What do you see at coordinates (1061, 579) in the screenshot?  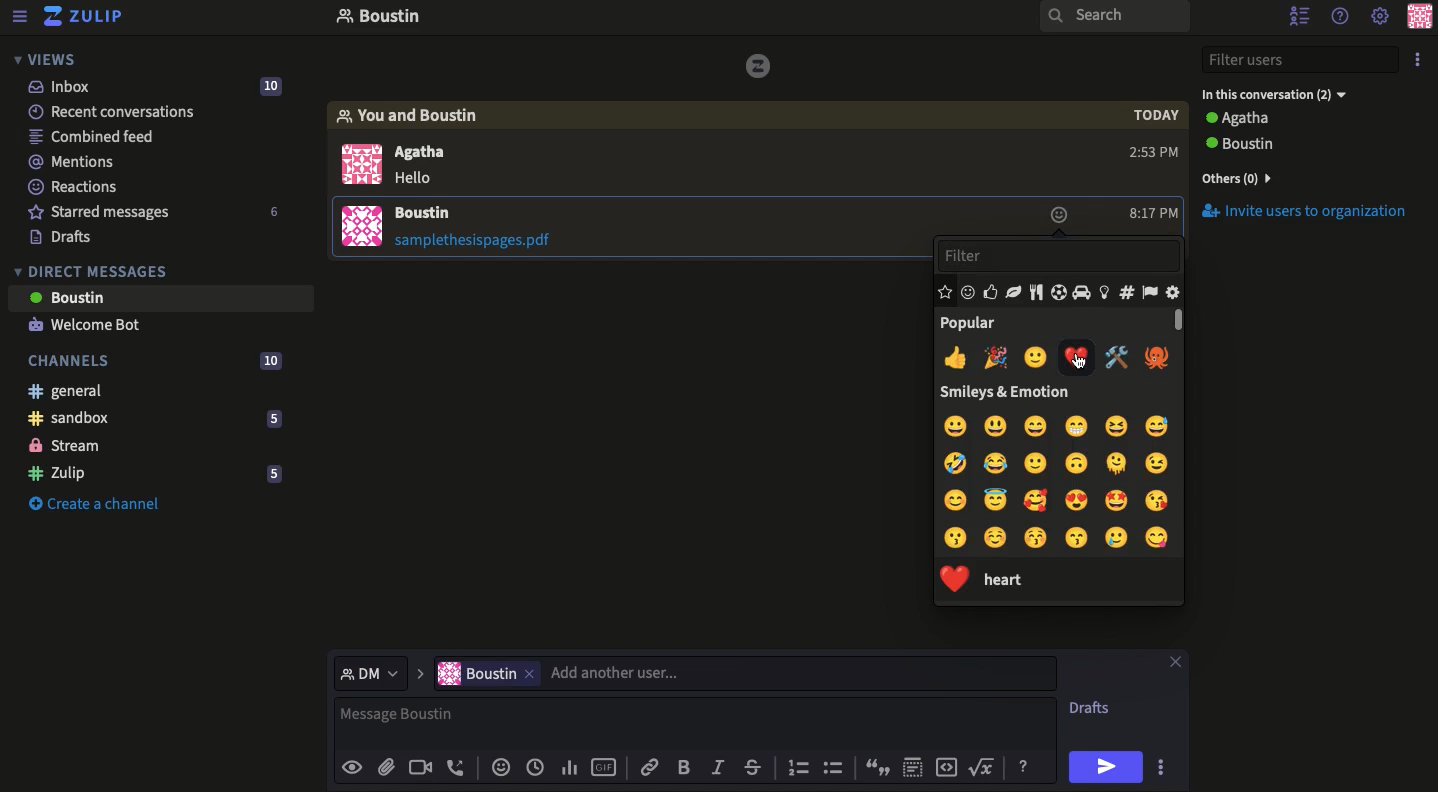 I see `cursor on heart emoji ` at bounding box center [1061, 579].